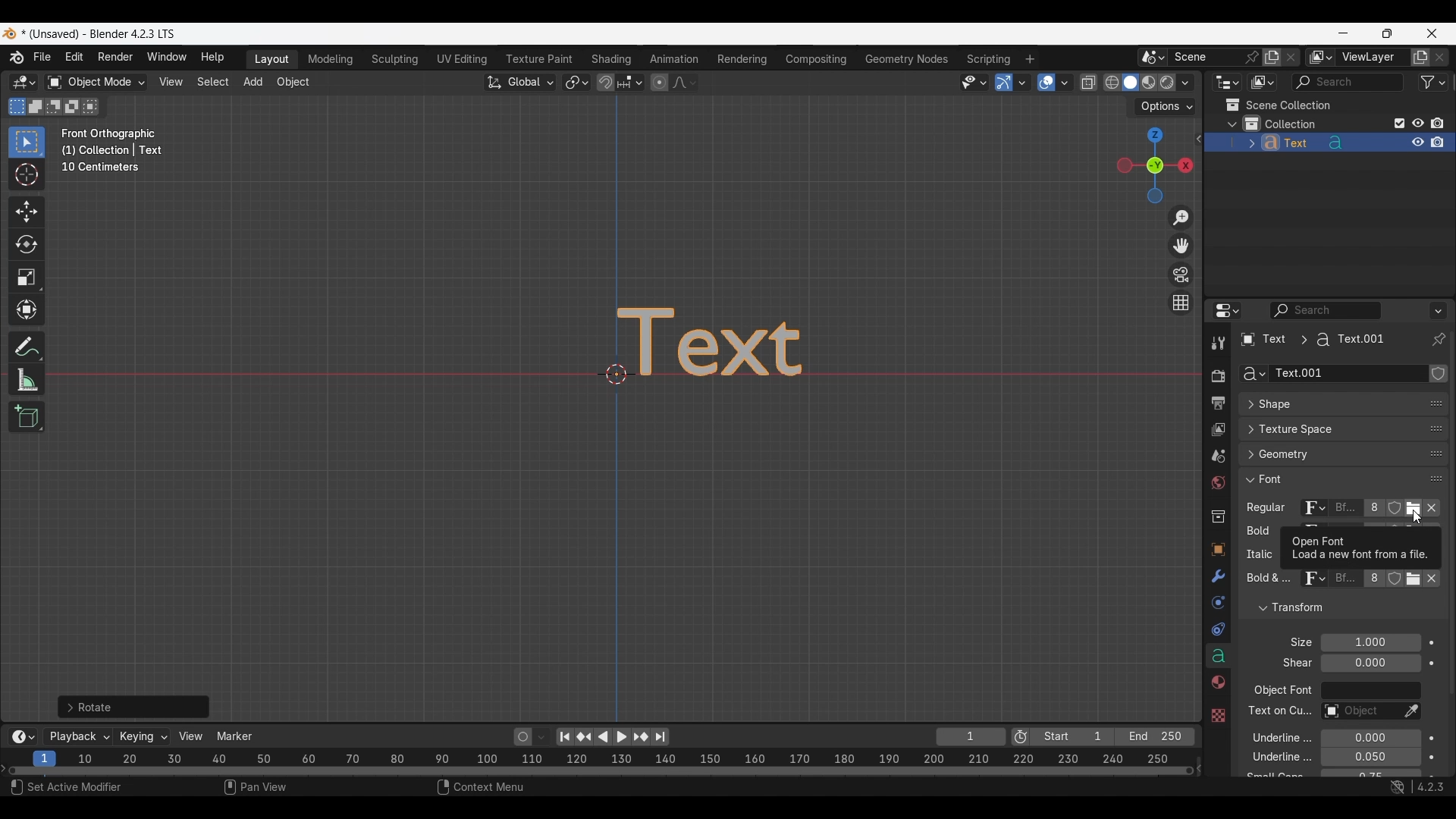 Image resolution: width=1456 pixels, height=819 pixels. I want to click on Cursor double clicking on open font for Regular fonts, so click(1417, 518).